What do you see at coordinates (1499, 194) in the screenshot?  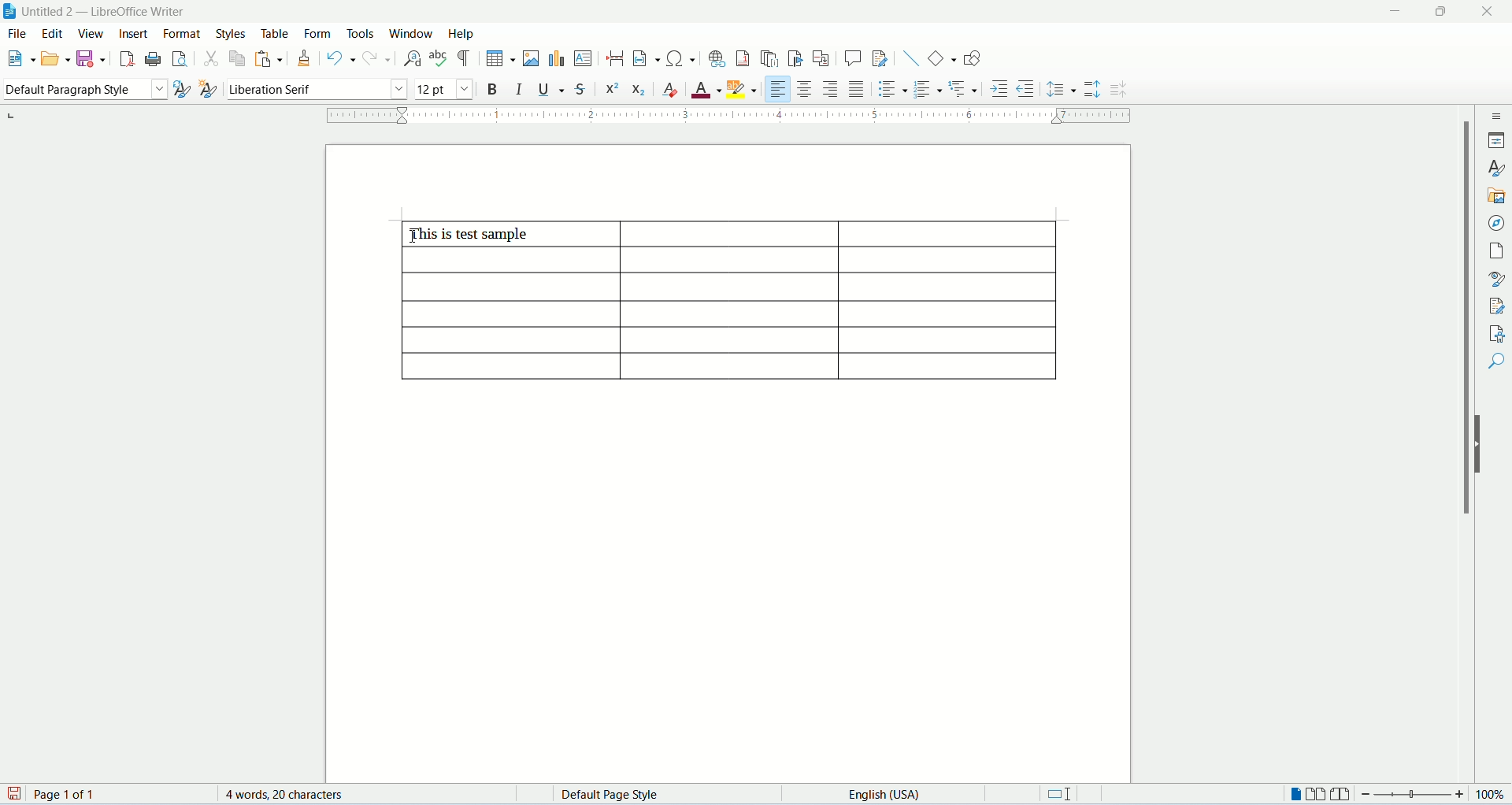 I see `gallery` at bounding box center [1499, 194].